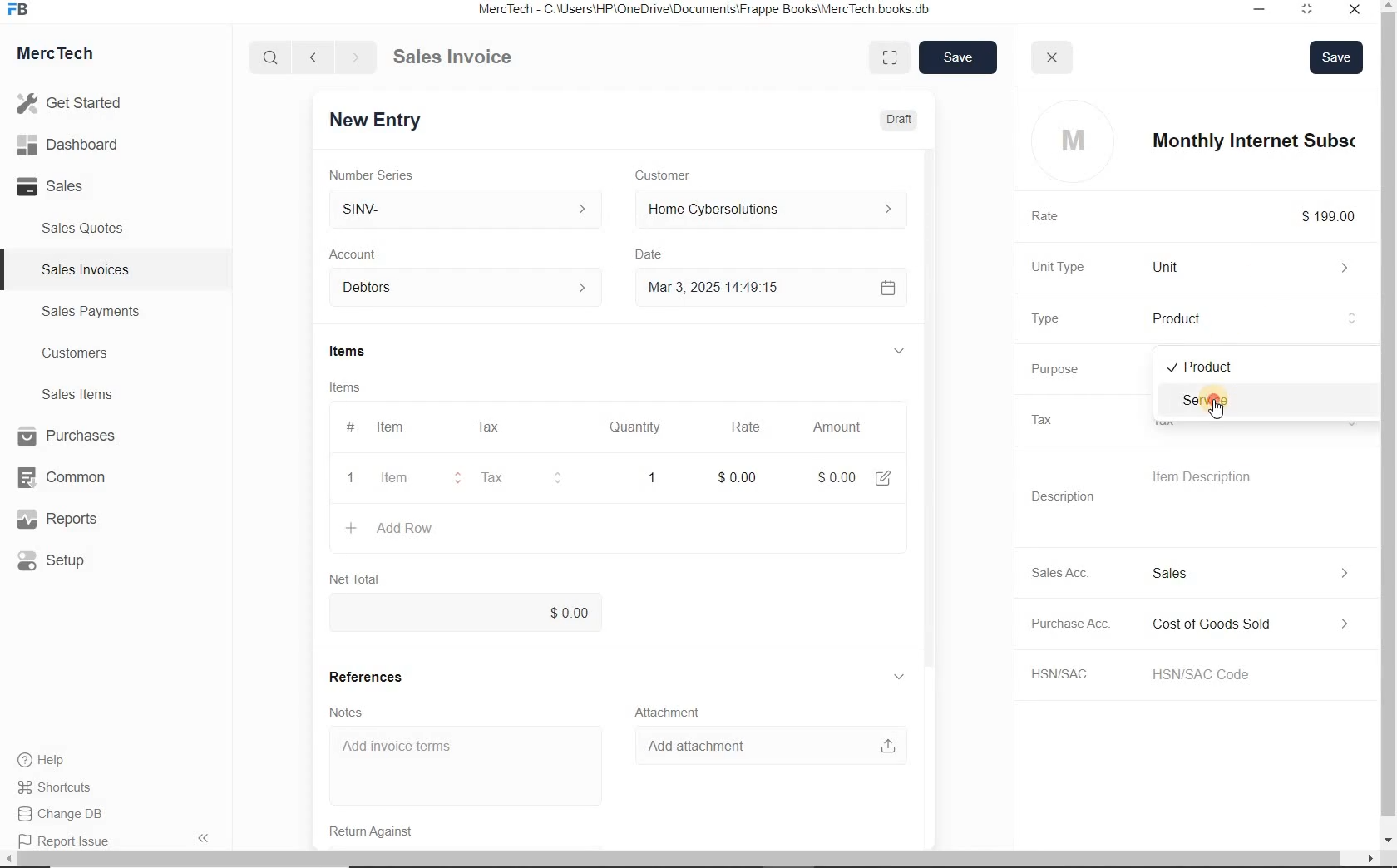  What do you see at coordinates (390, 173) in the screenshot?
I see `Number Series` at bounding box center [390, 173].